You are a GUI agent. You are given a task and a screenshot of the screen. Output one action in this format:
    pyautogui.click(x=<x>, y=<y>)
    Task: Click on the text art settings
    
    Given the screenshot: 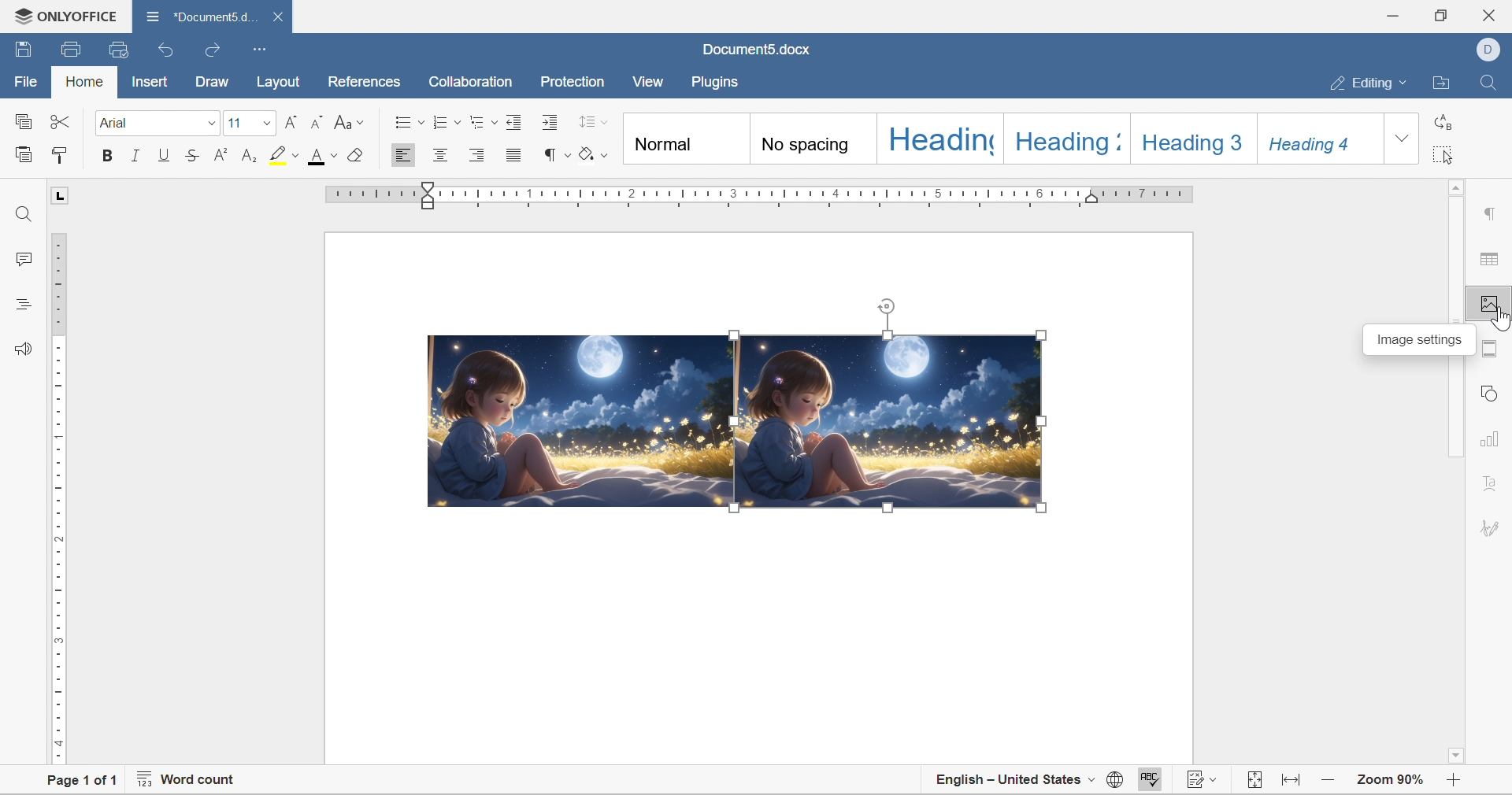 What is the action you would take?
    pyautogui.click(x=1492, y=478)
    